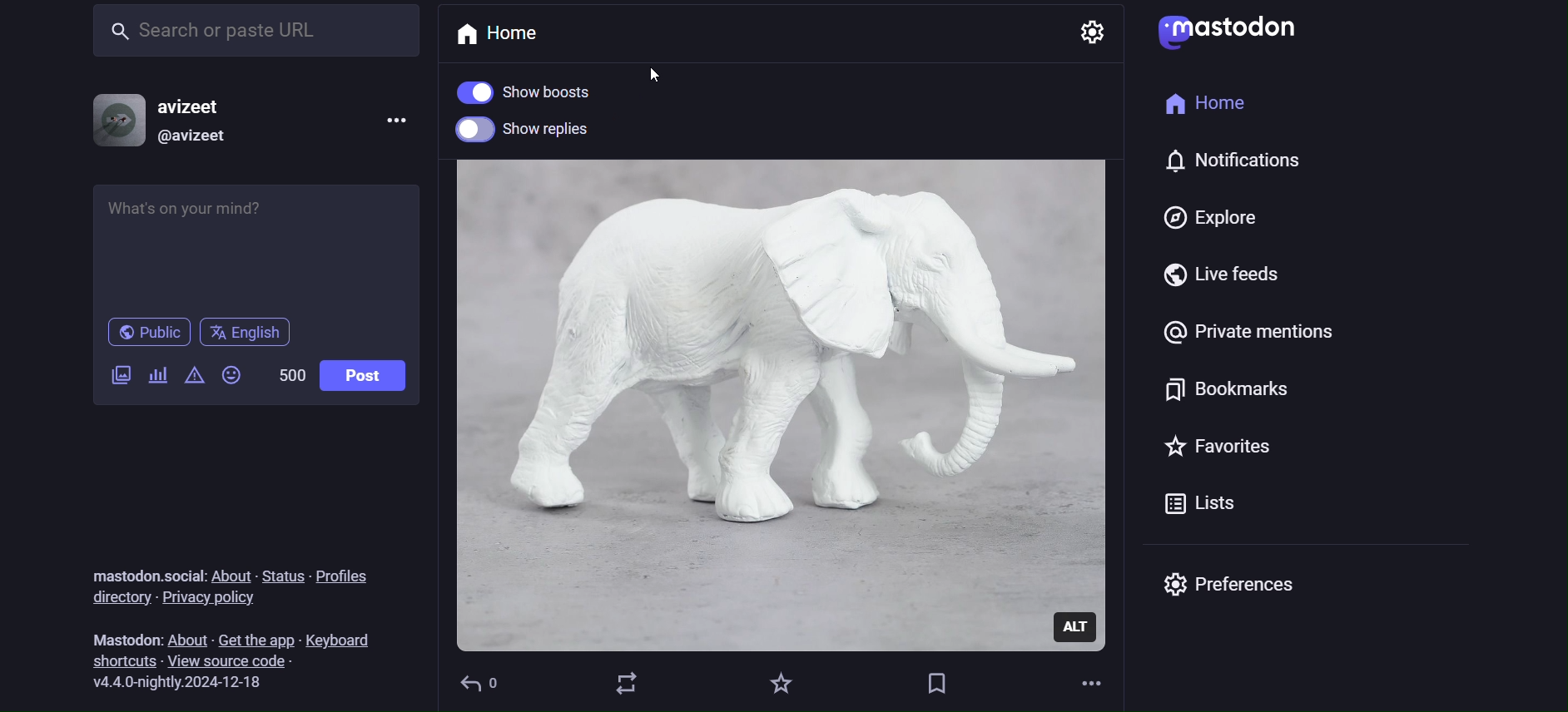 This screenshot has height=712, width=1568. What do you see at coordinates (541, 91) in the screenshot?
I see `show boost enabled` at bounding box center [541, 91].